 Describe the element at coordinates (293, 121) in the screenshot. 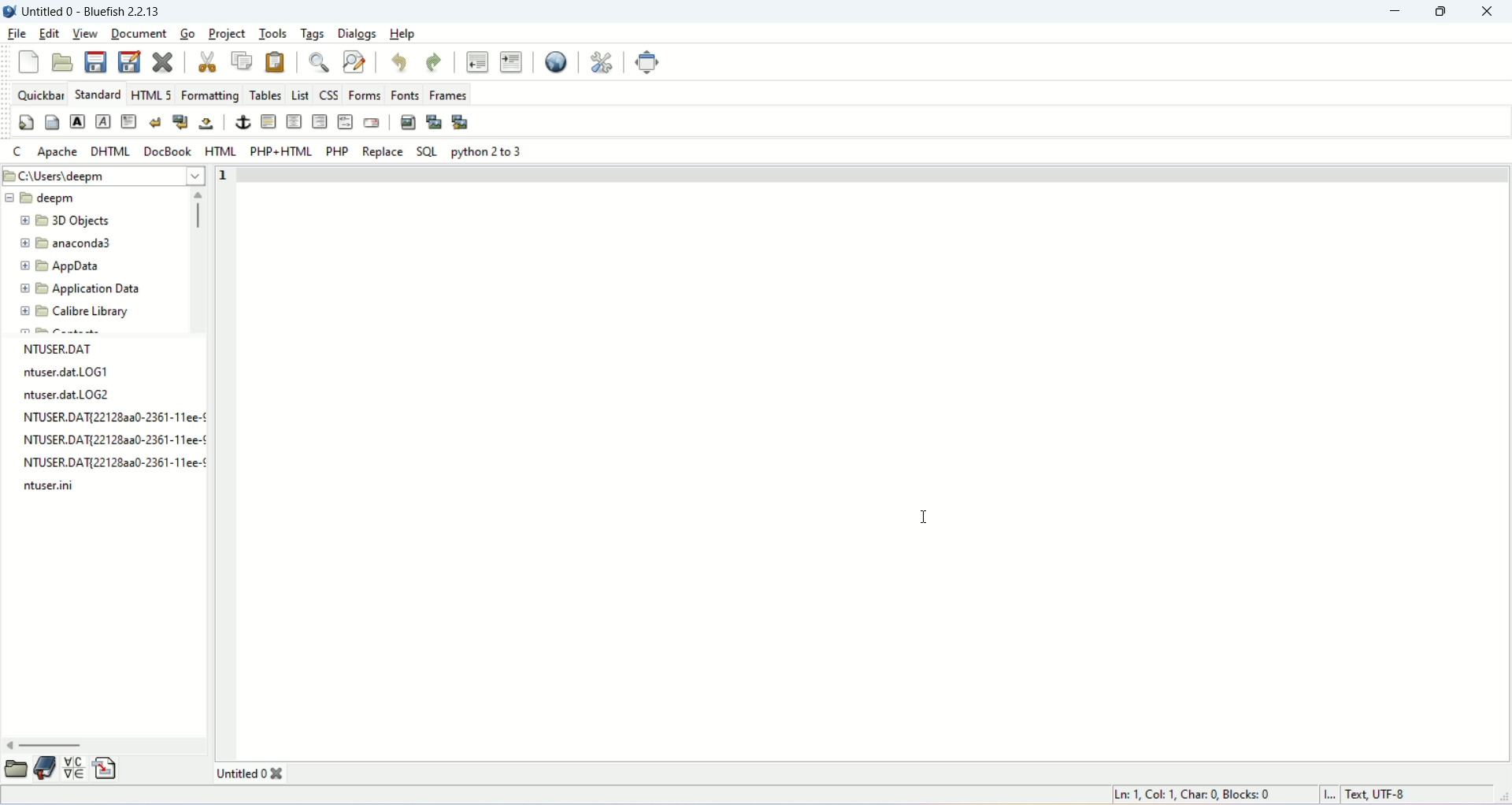

I see `center` at that location.